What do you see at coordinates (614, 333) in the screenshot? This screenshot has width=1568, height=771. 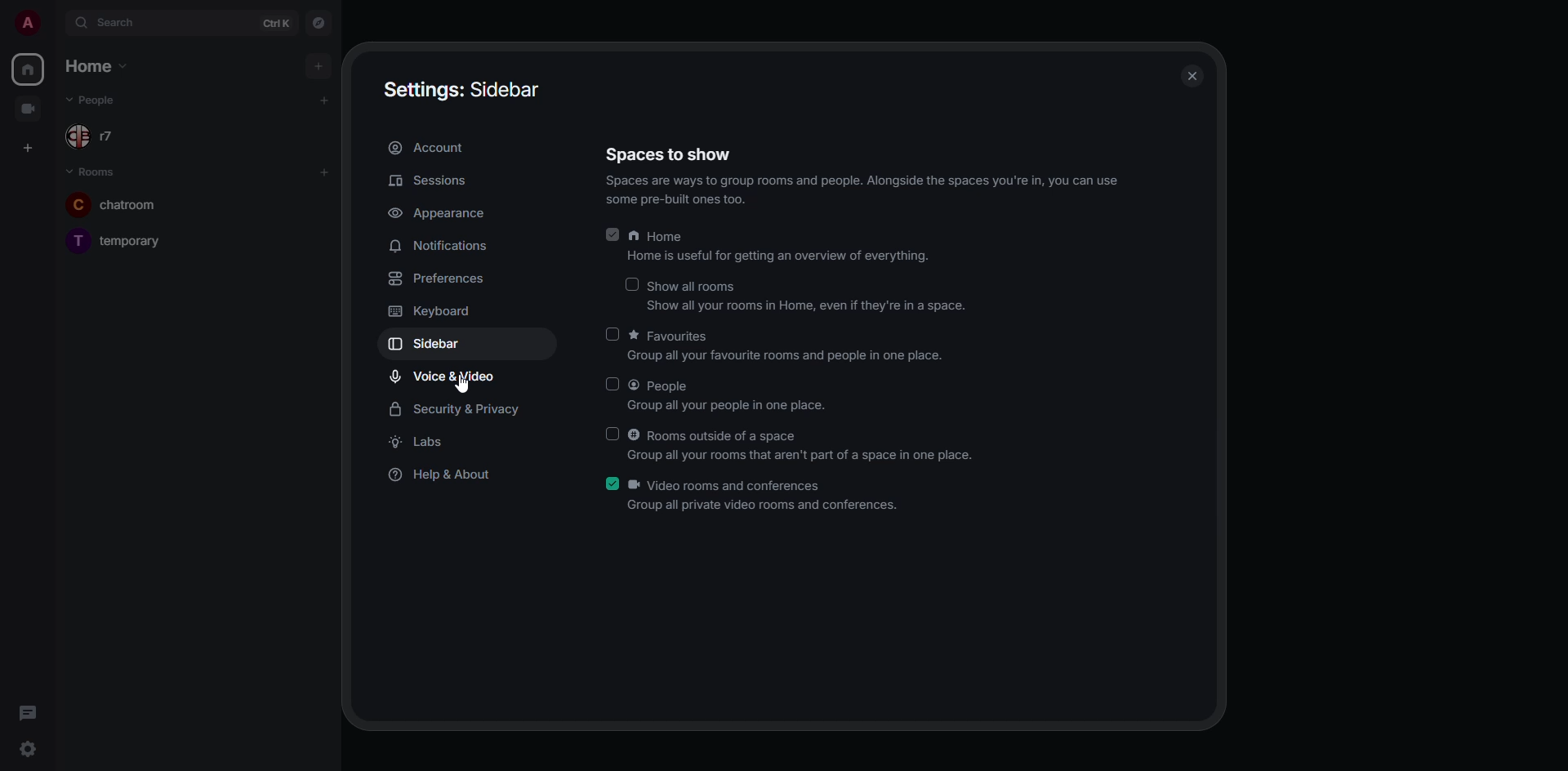 I see `click to enable` at bounding box center [614, 333].